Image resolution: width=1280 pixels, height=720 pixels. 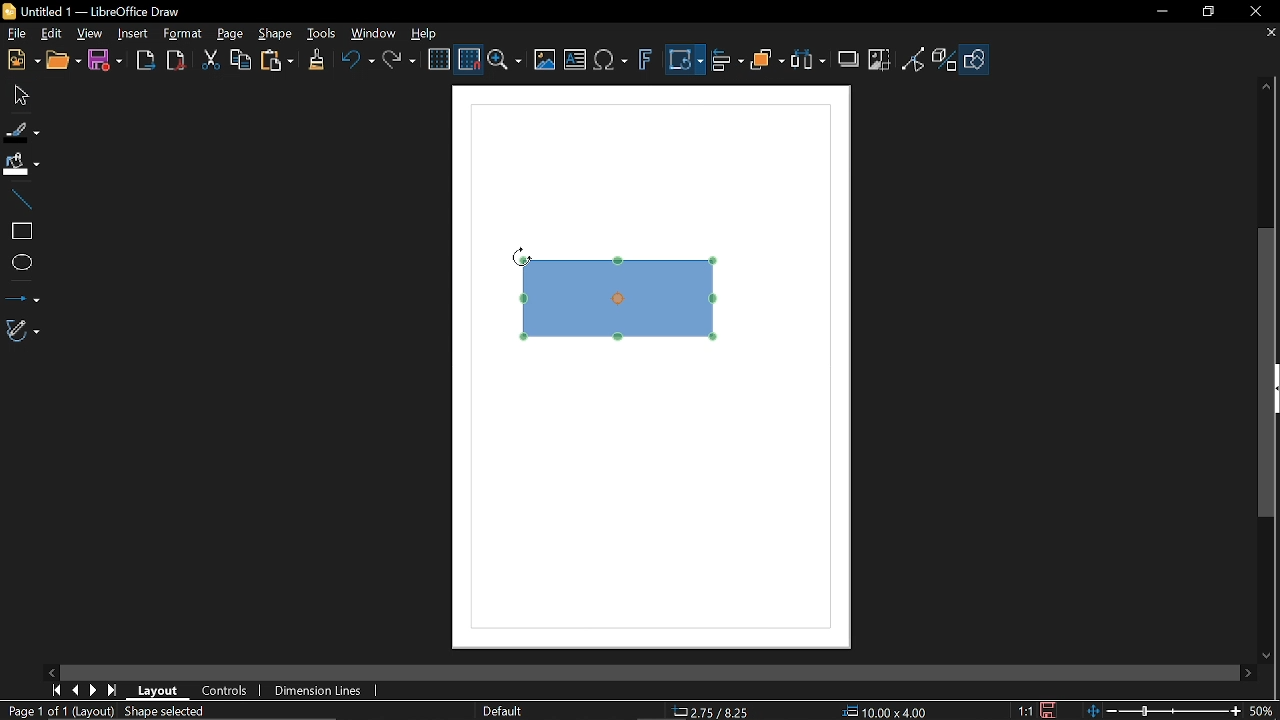 I want to click on New, so click(x=22, y=60).